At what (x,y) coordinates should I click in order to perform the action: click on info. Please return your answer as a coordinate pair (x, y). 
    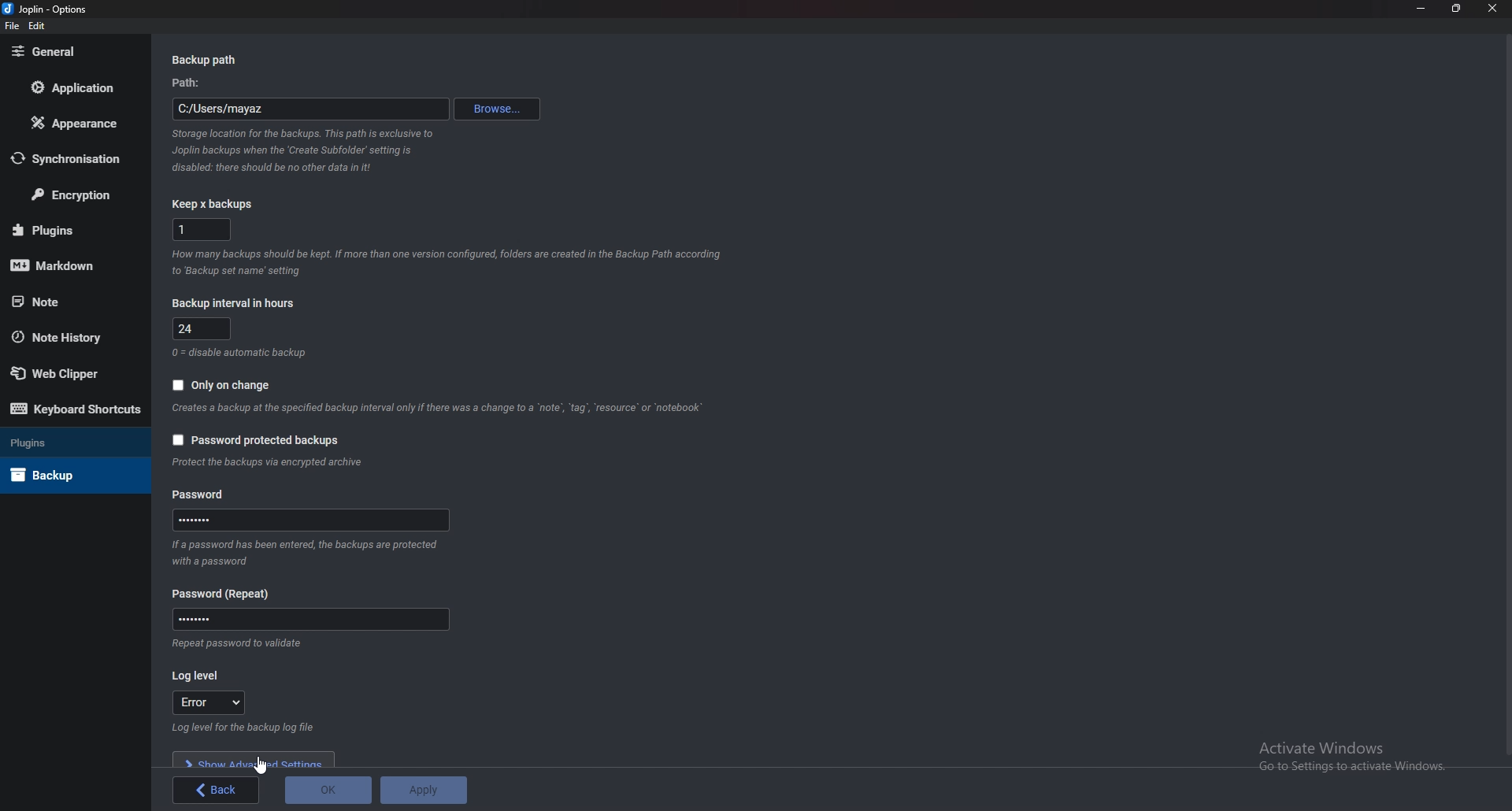
    Looking at the image, I should click on (271, 464).